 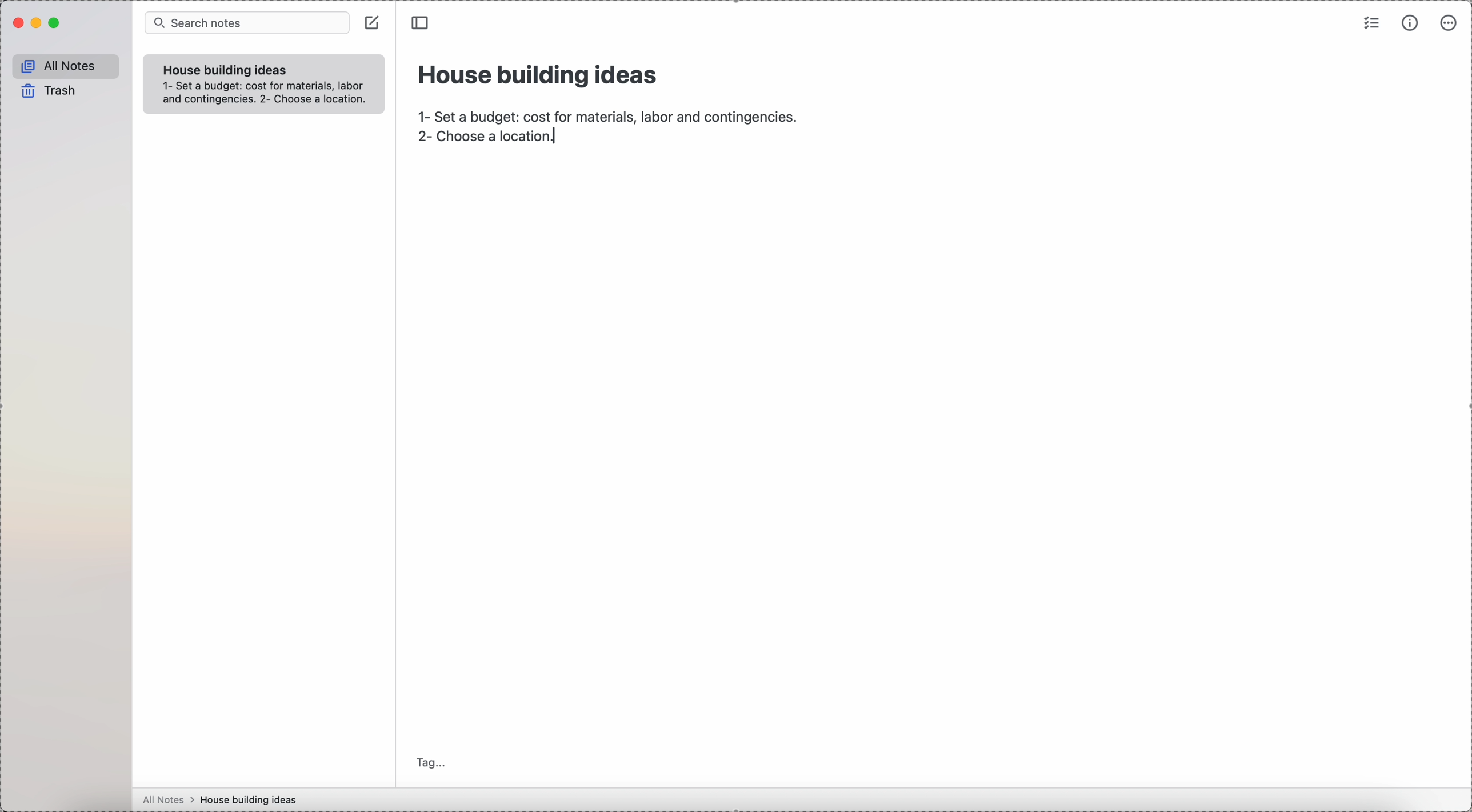 What do you see at coordinates (169, 800) in the screenshot?
I see `all notes` at bounding box center [169, 800].